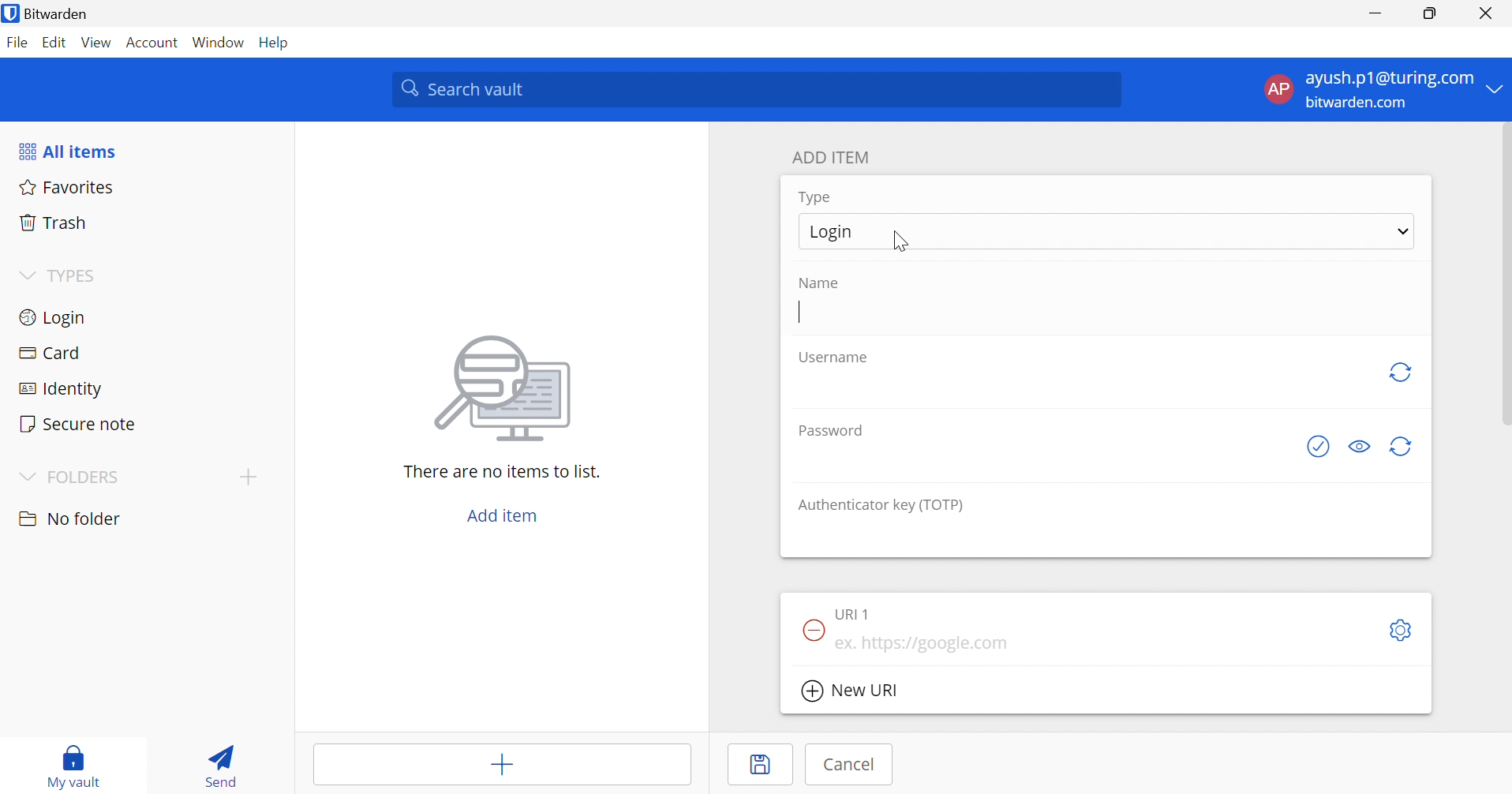  I want to click on Minimize, so click(1375, 15).